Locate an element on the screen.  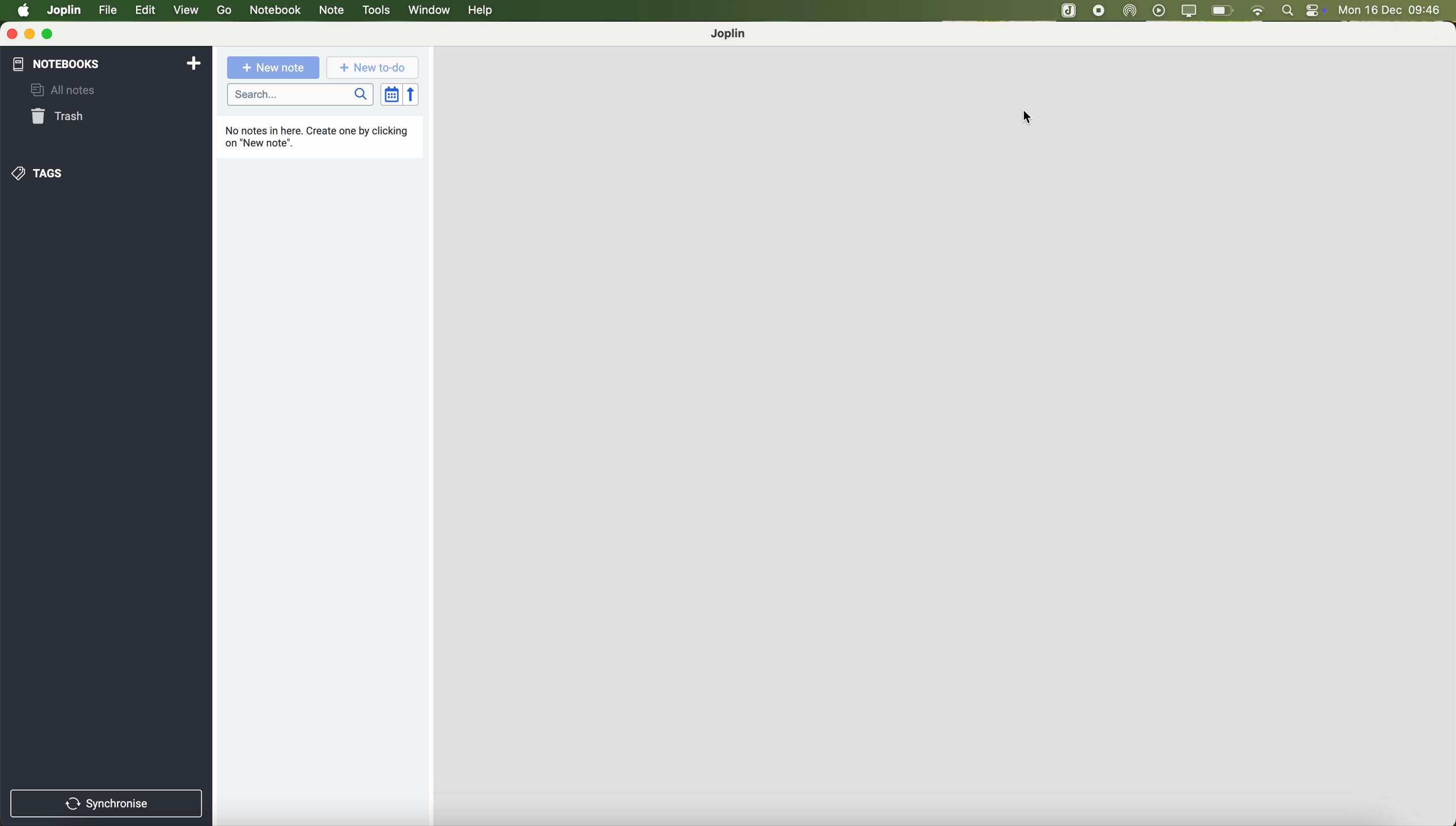
wifi is located at coordinates (1260, 11).